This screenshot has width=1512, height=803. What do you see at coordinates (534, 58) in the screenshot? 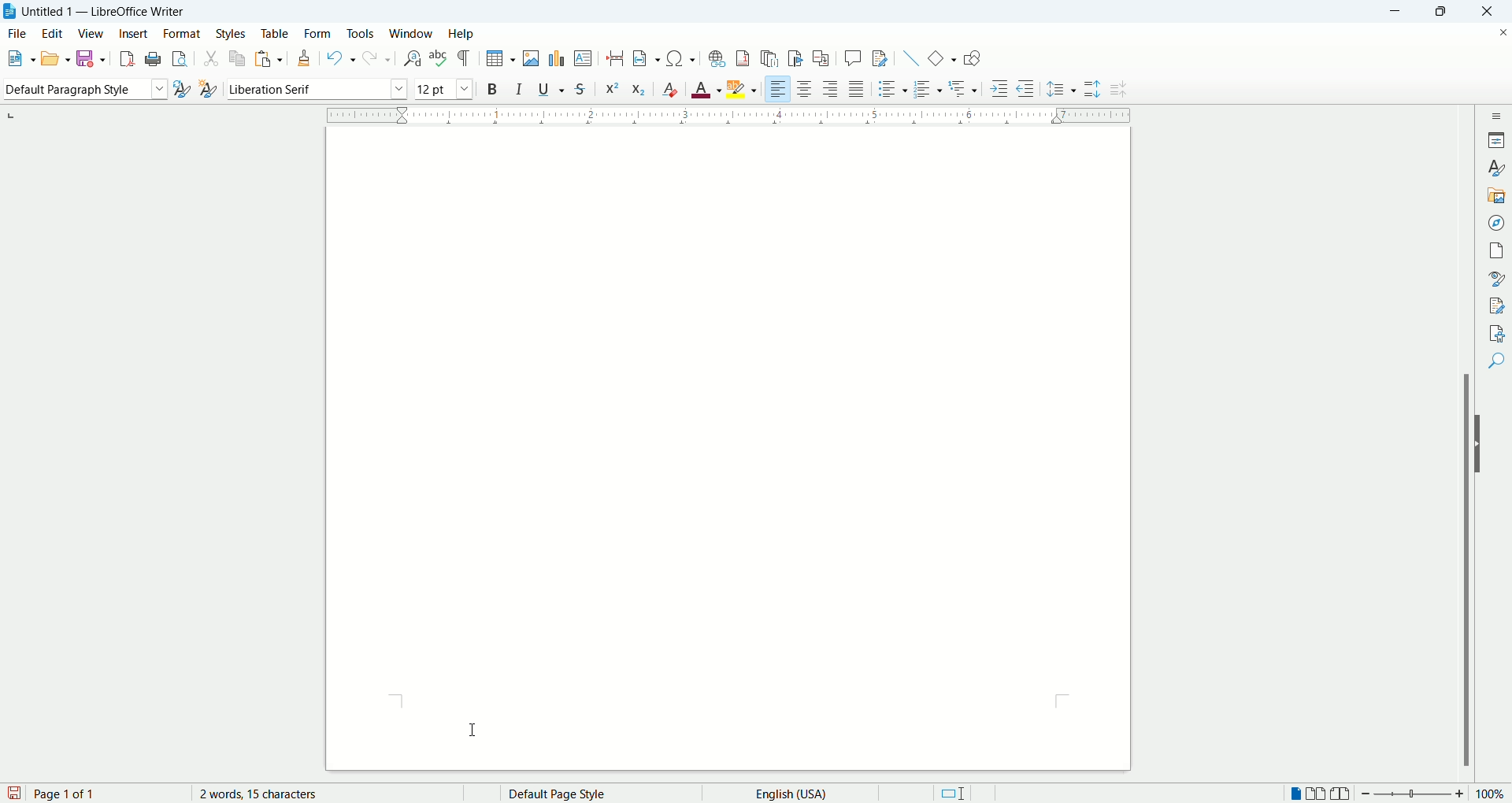
I see `insert image` at bounding box center [534, 58].